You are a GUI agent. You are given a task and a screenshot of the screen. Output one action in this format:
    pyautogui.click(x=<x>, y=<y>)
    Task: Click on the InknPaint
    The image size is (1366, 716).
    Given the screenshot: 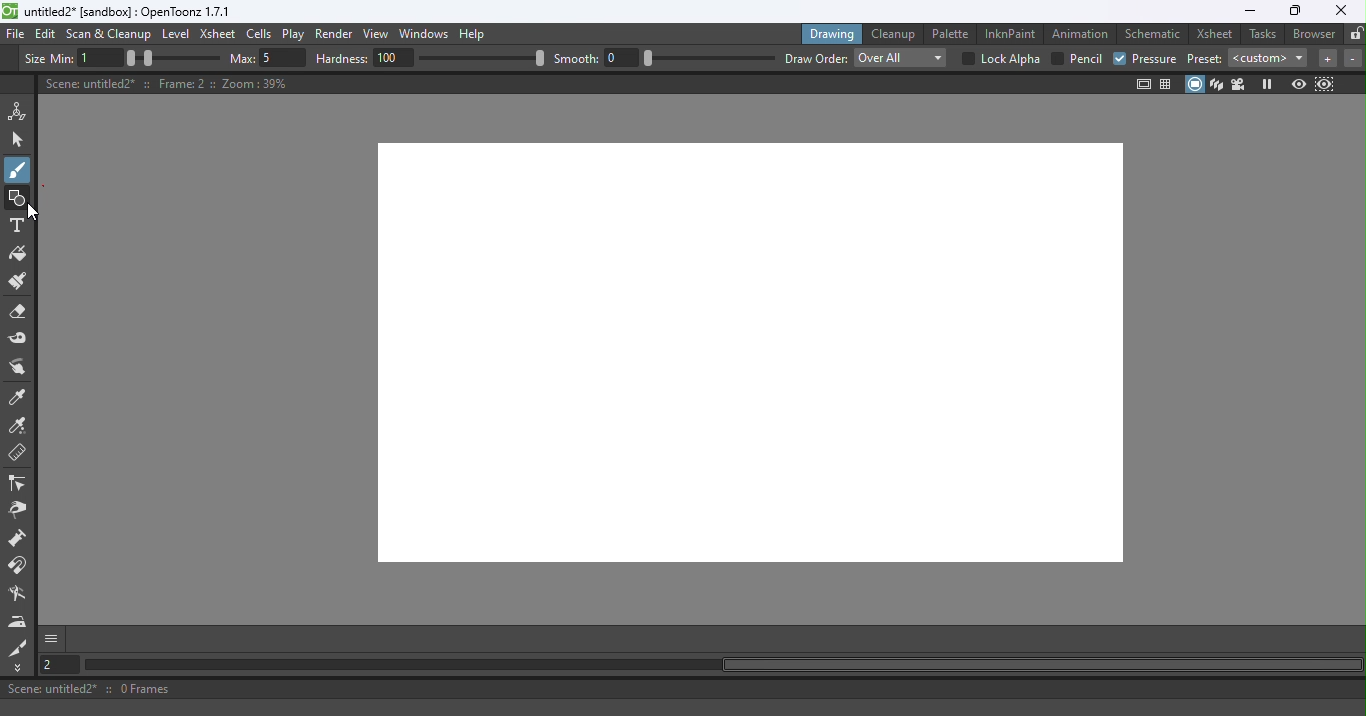 What is the action you would take?
    pyautogui.click(x=1011, y=32)
    